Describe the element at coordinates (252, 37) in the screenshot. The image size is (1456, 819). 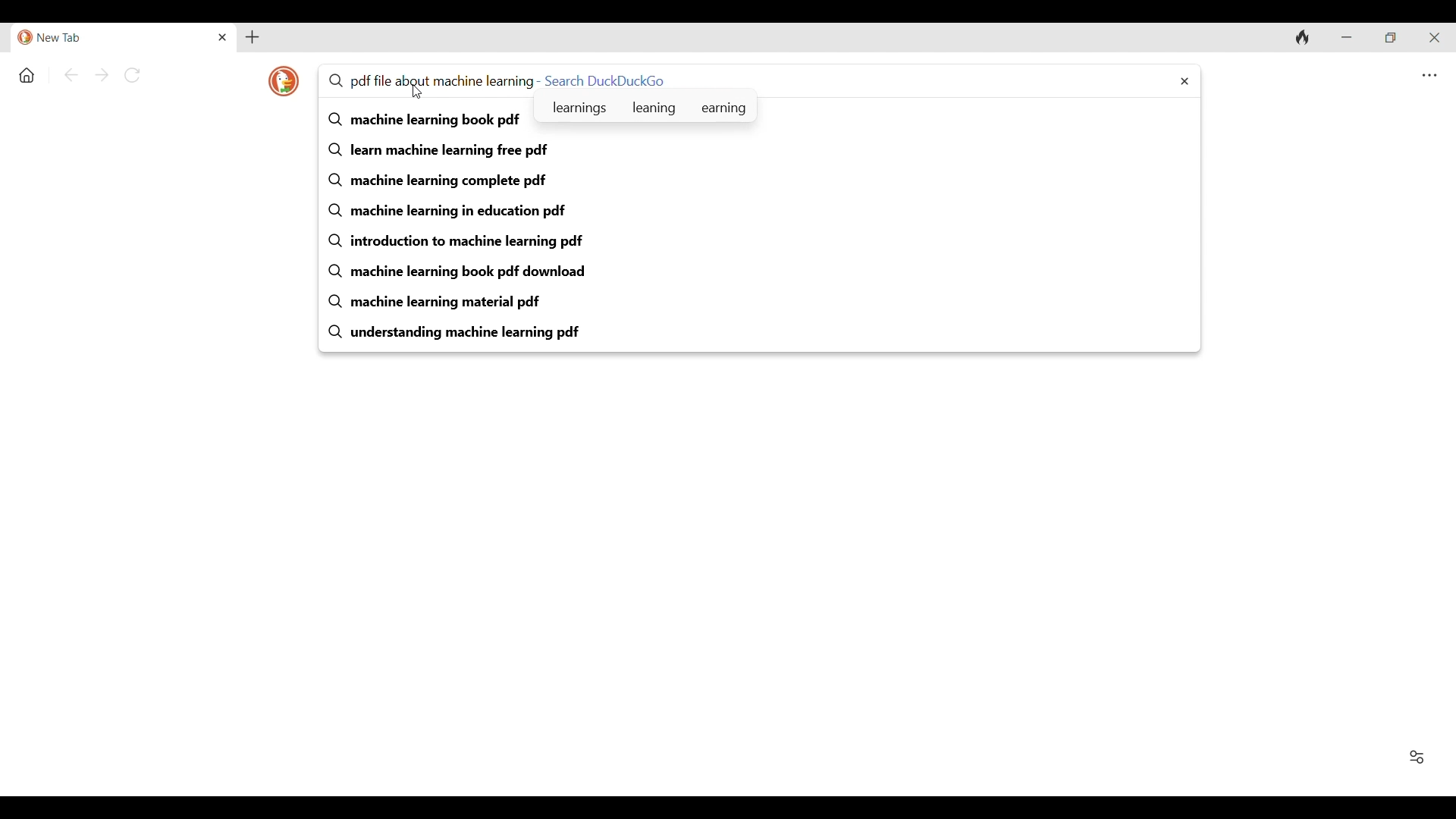
I see `Add new tab` at that location.